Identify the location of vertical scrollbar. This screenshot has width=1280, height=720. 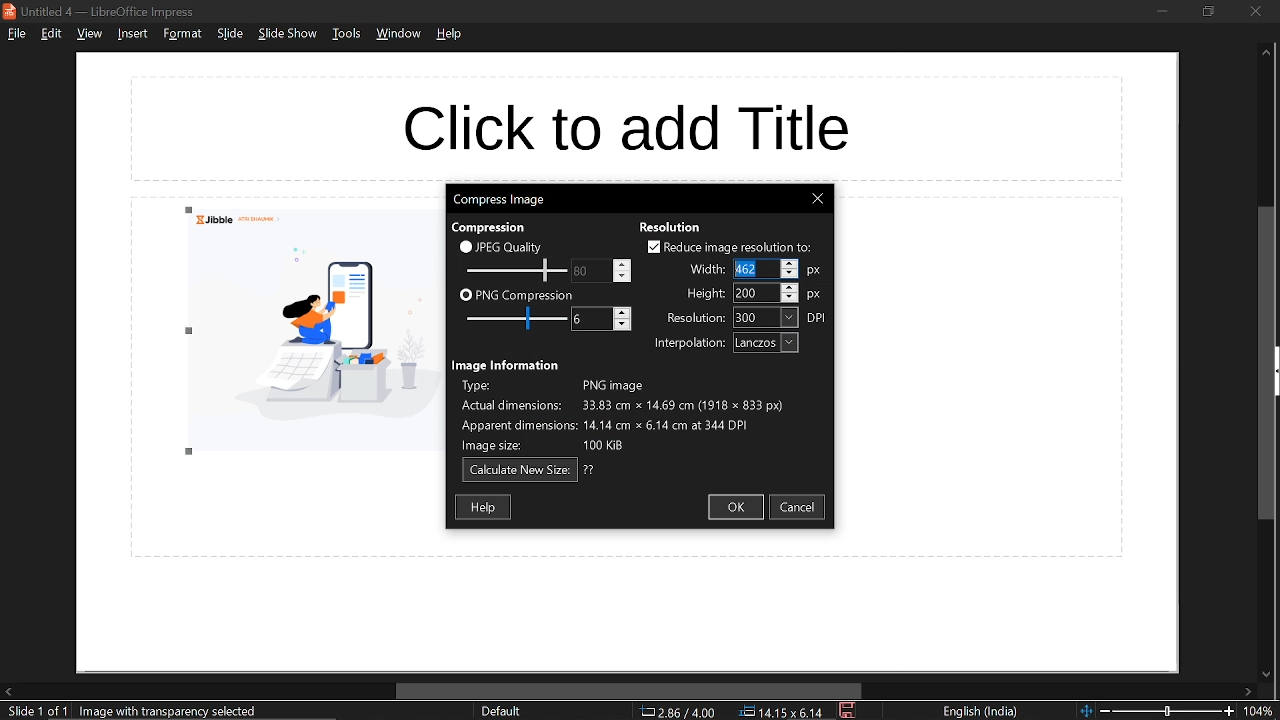
(1268, 364).